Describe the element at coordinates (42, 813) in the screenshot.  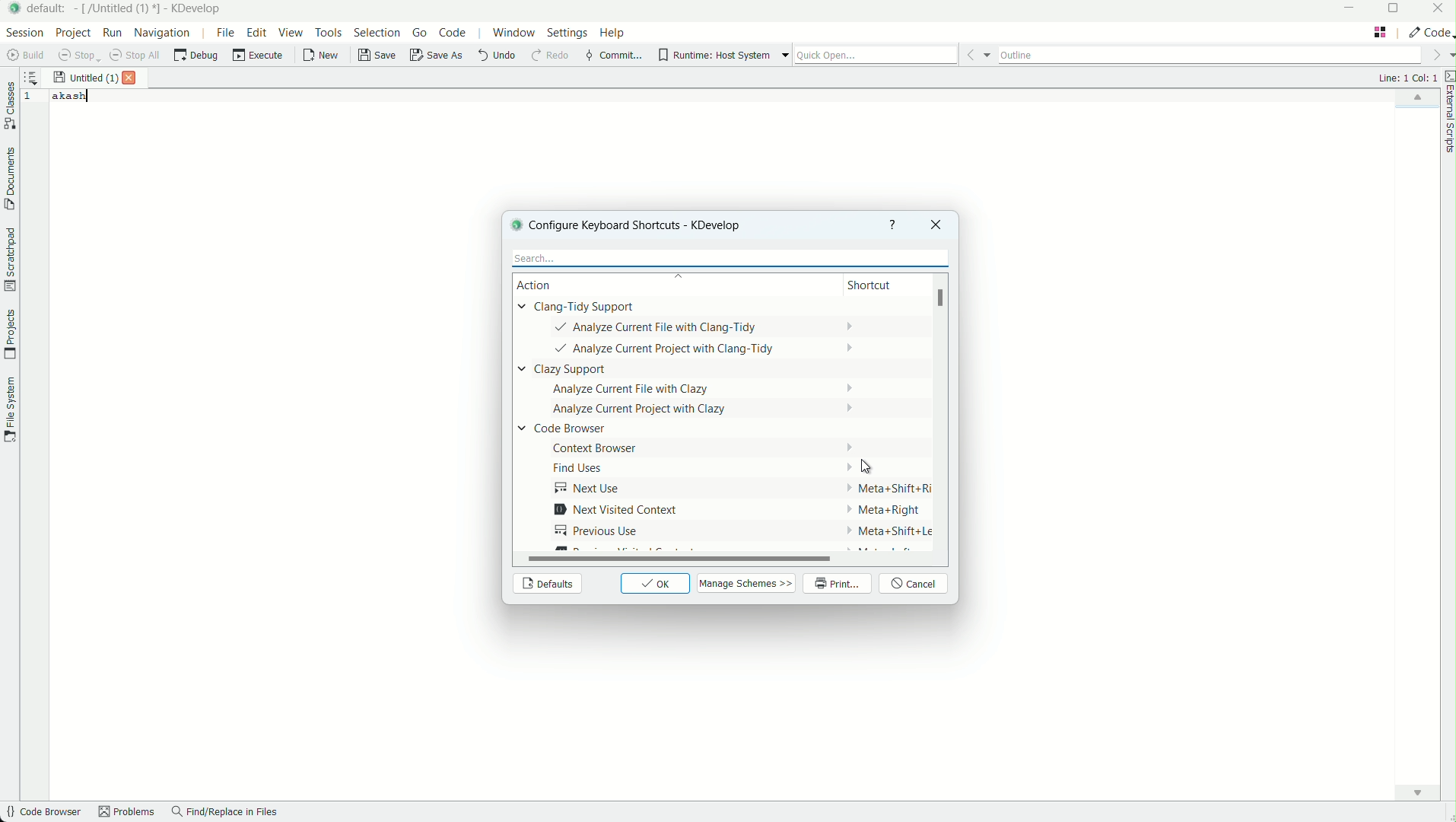
I see `code browser` at that location.